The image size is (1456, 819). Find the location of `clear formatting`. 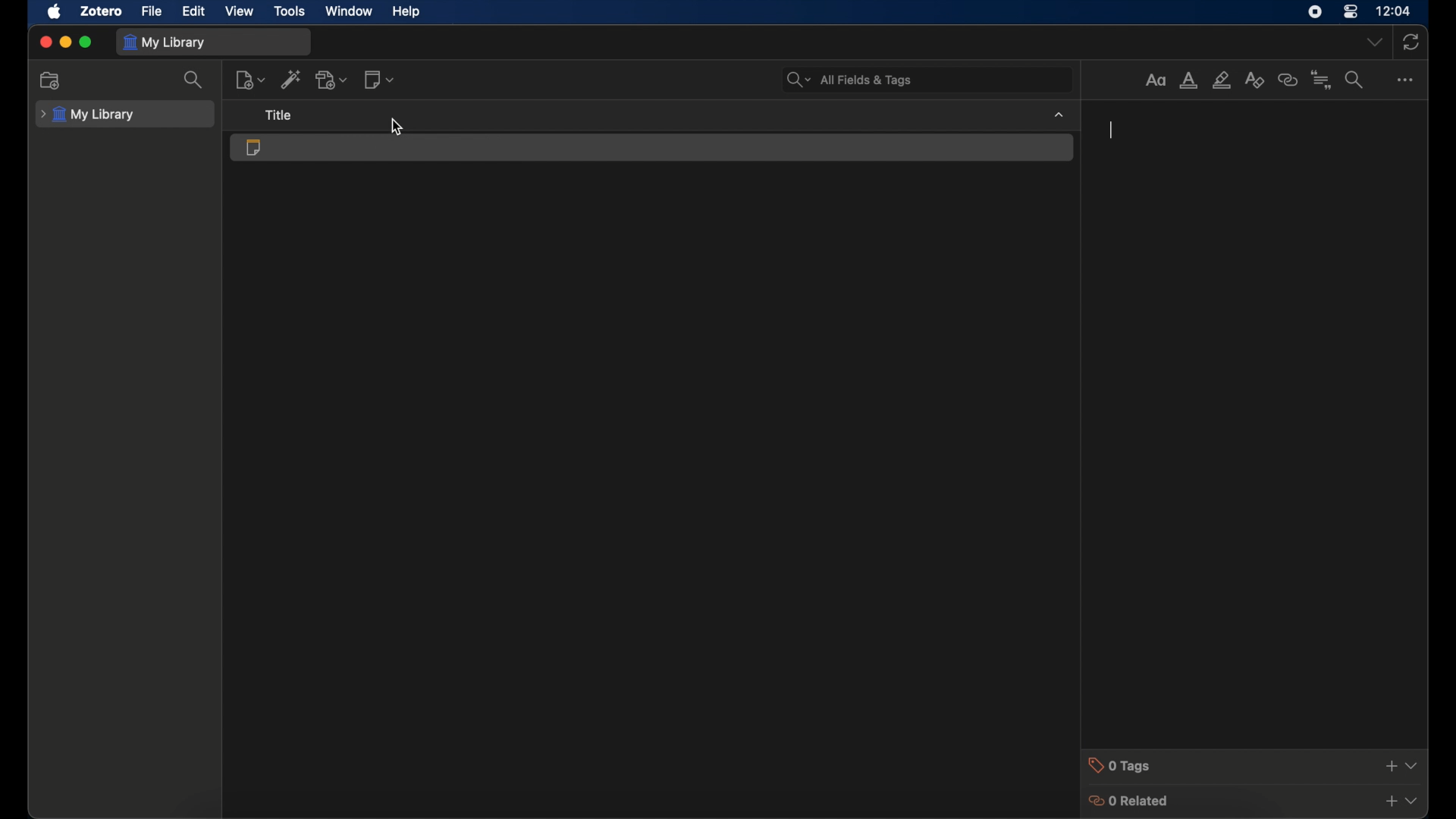

clear formatting is located at coordinates (1255, 80).